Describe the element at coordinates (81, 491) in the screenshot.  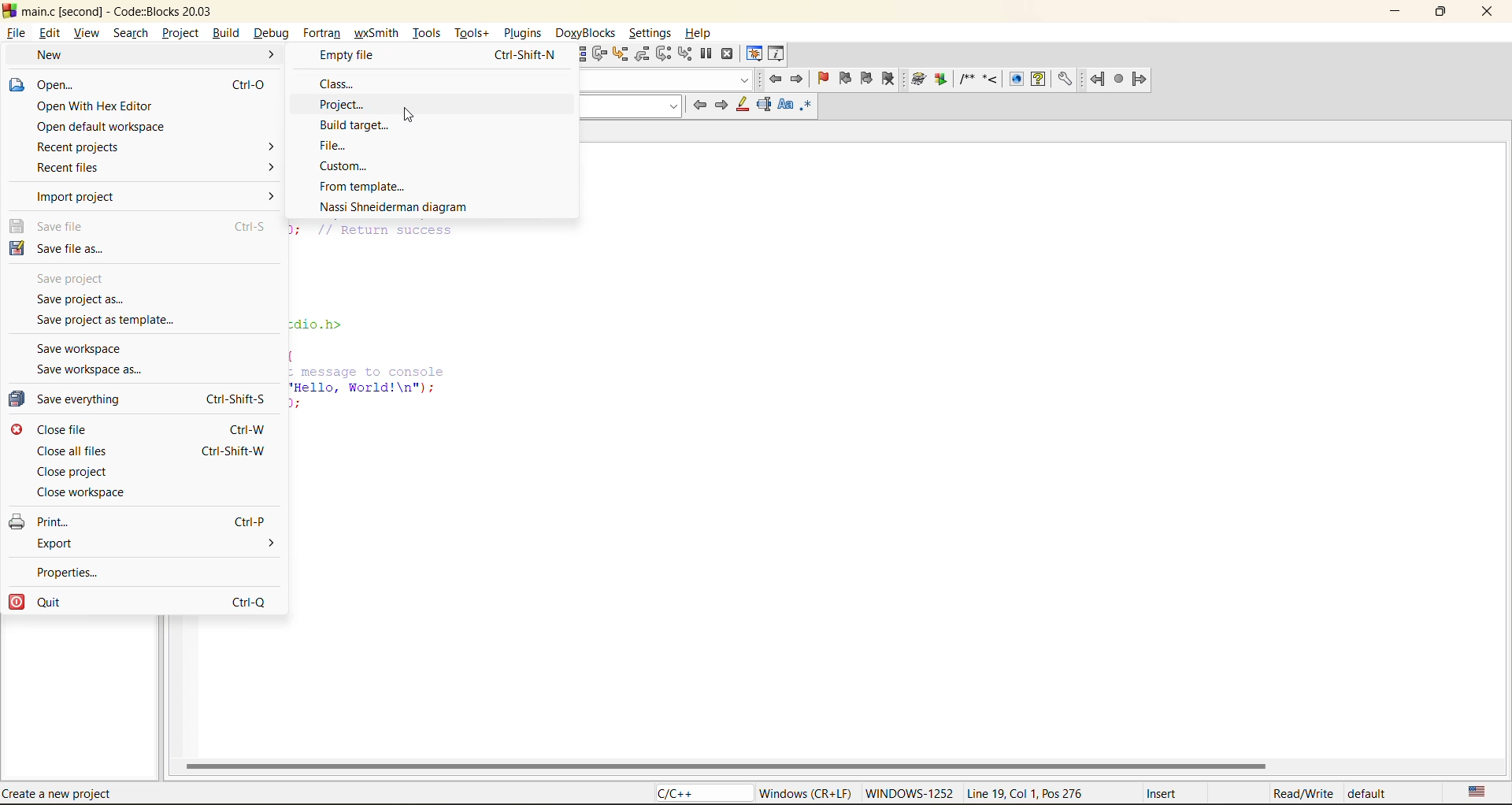
I see `close workspace` at that location.